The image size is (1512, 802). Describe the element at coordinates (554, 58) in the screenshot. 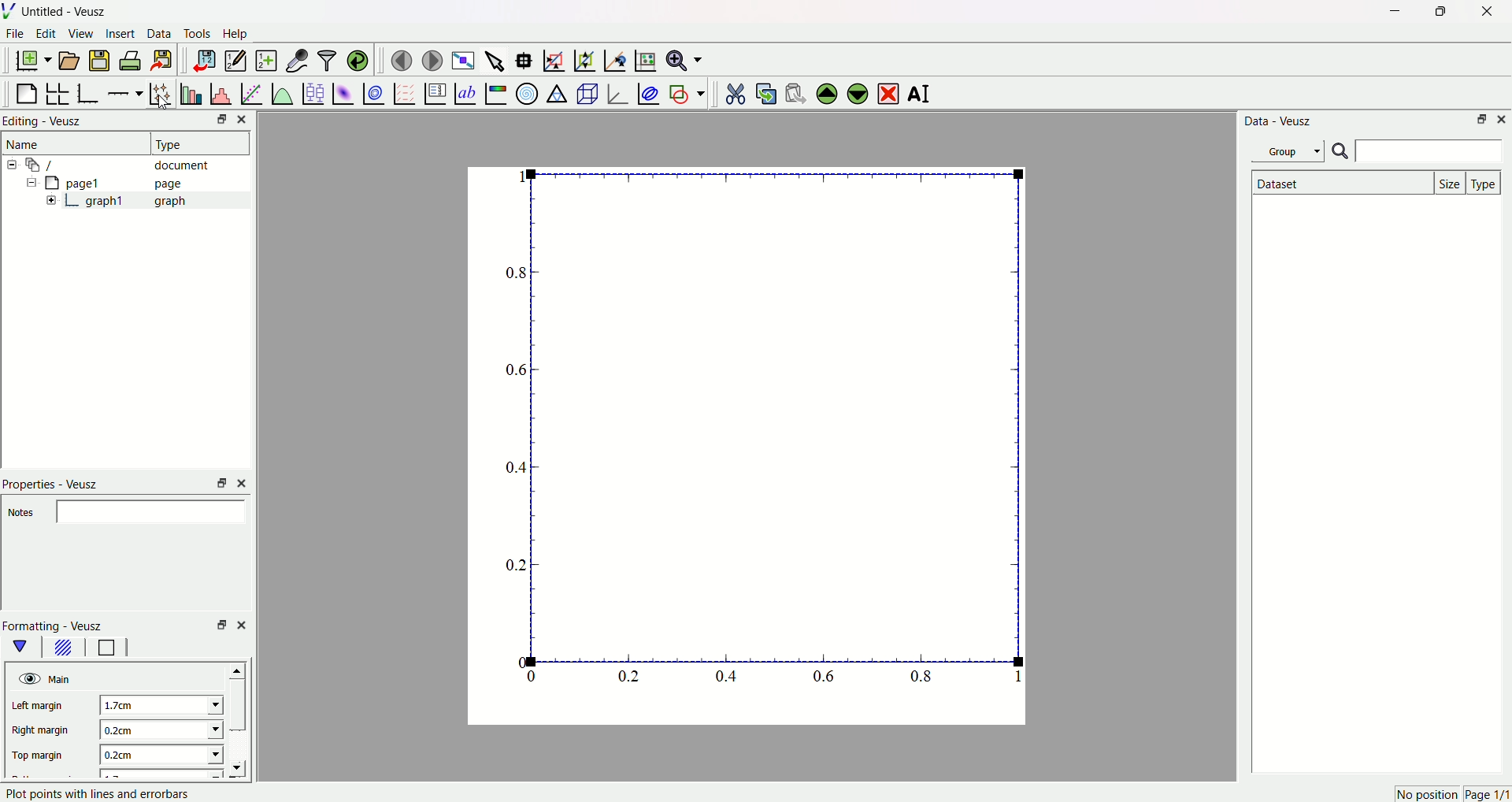

I see `draw rectangle on zoom graph axes` at that location.